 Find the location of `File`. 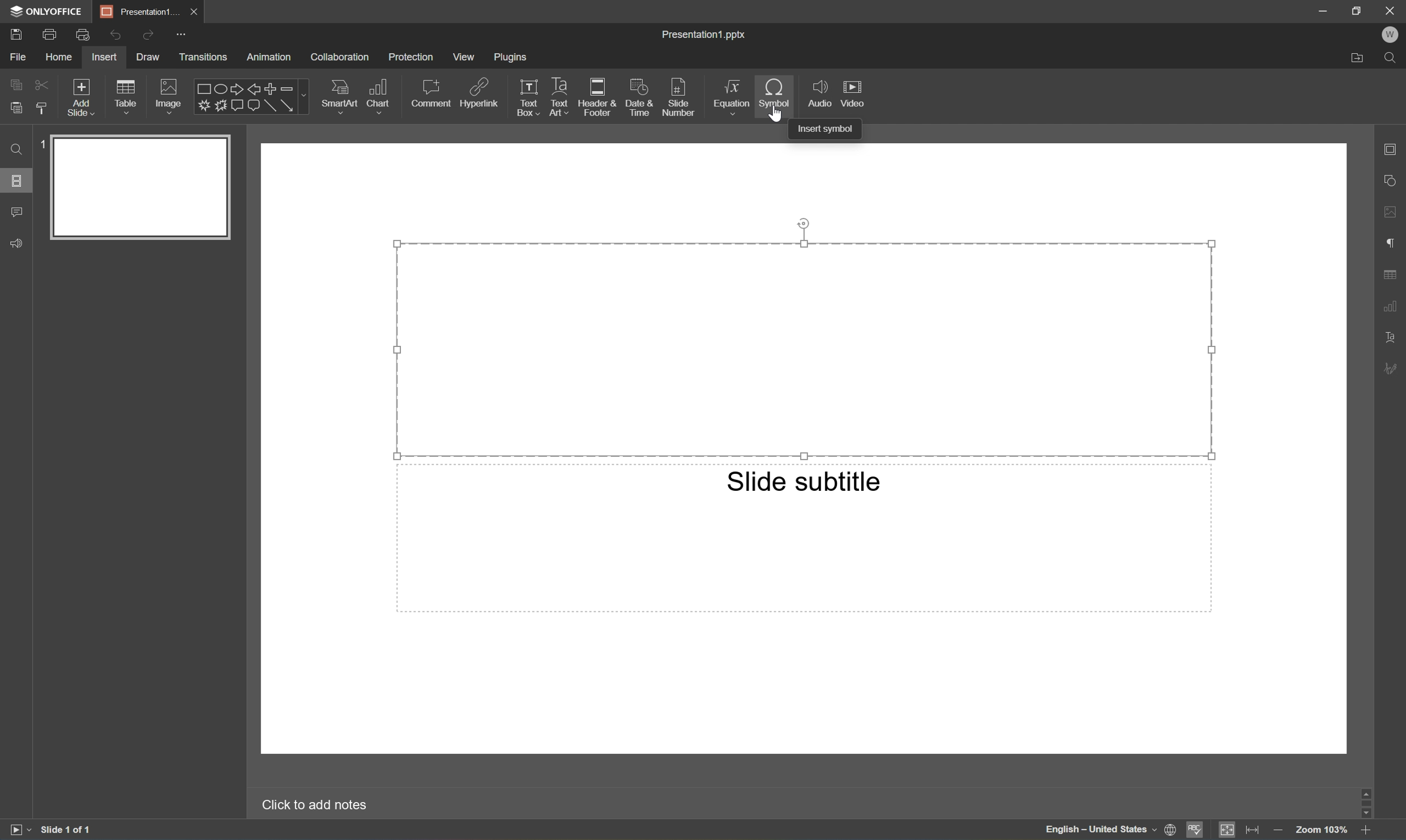

File is located at coordinates (15, 57).